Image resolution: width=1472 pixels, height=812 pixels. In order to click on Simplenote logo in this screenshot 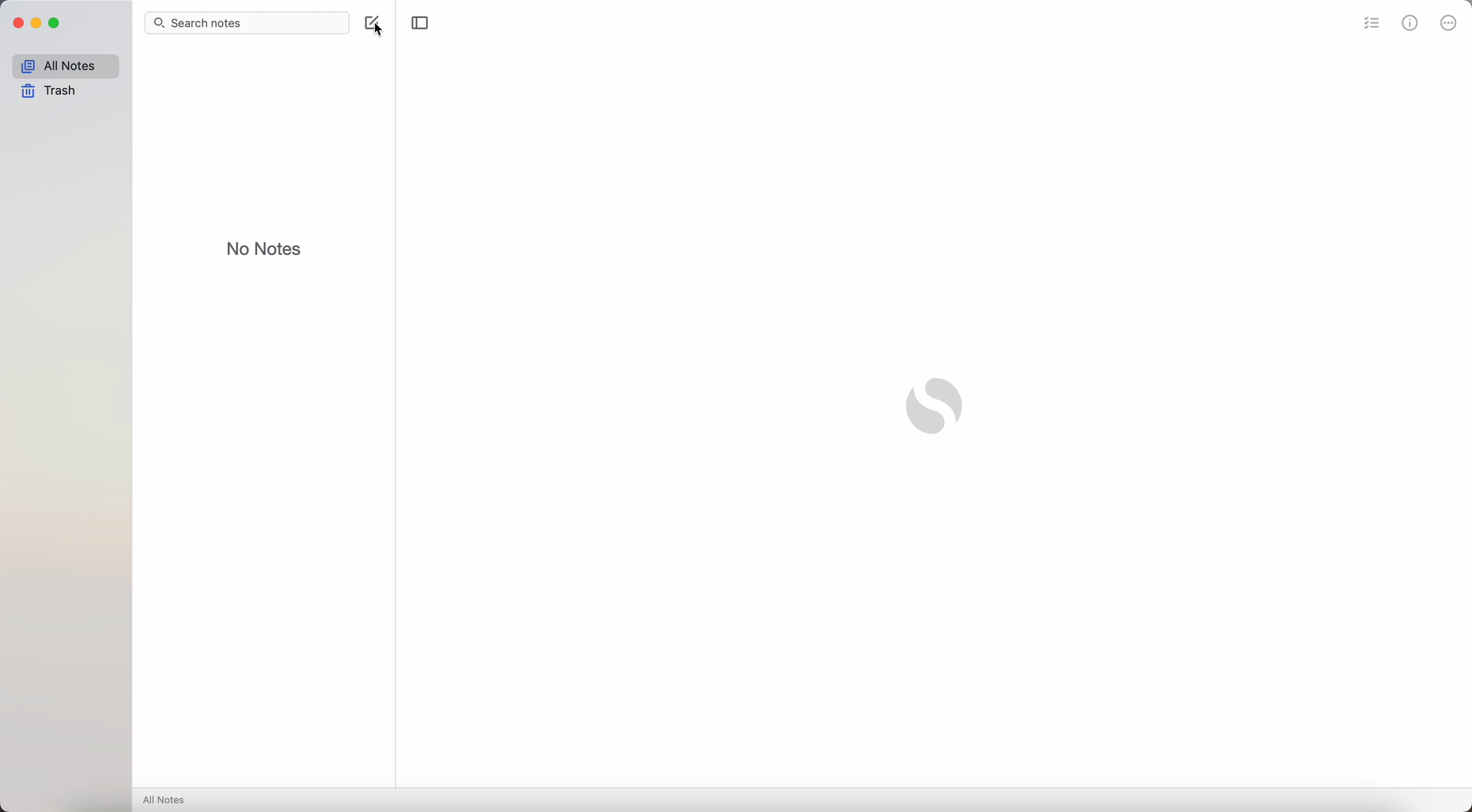, I will do `click(938, 407)`.